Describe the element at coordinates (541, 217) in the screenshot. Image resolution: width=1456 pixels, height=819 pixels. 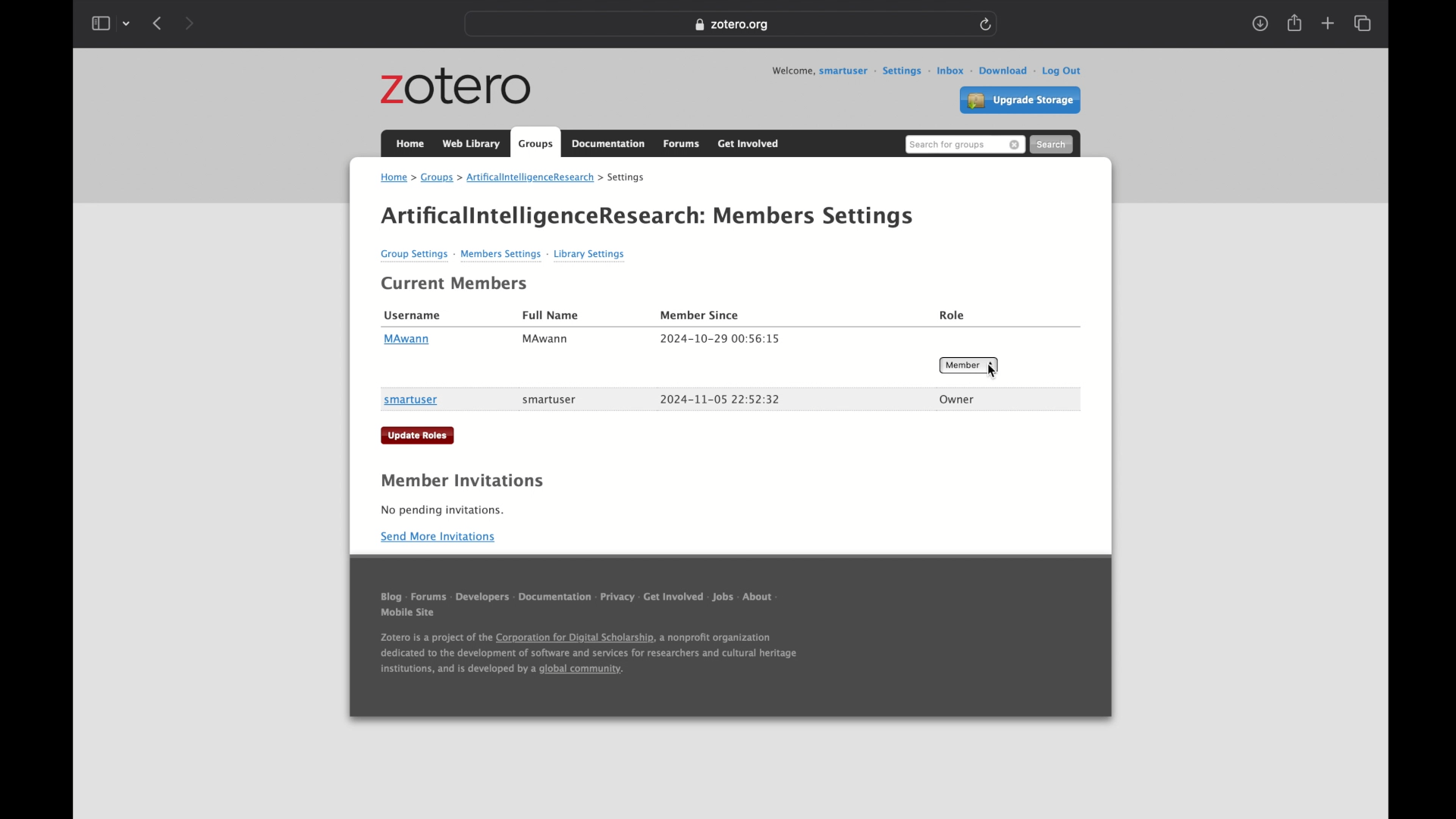
I see `` at that location.